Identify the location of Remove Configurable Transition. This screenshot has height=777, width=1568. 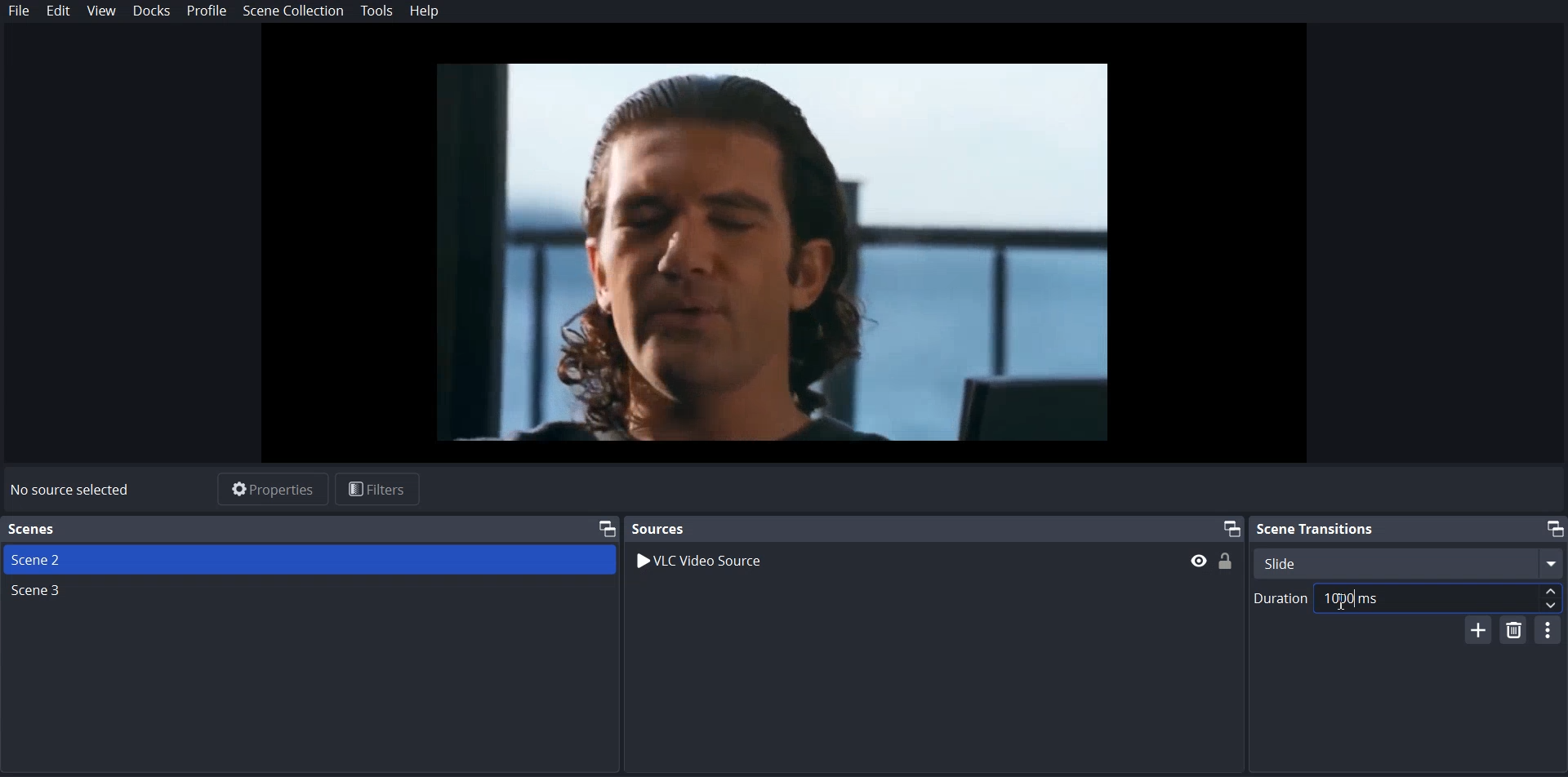
(1516, 628).